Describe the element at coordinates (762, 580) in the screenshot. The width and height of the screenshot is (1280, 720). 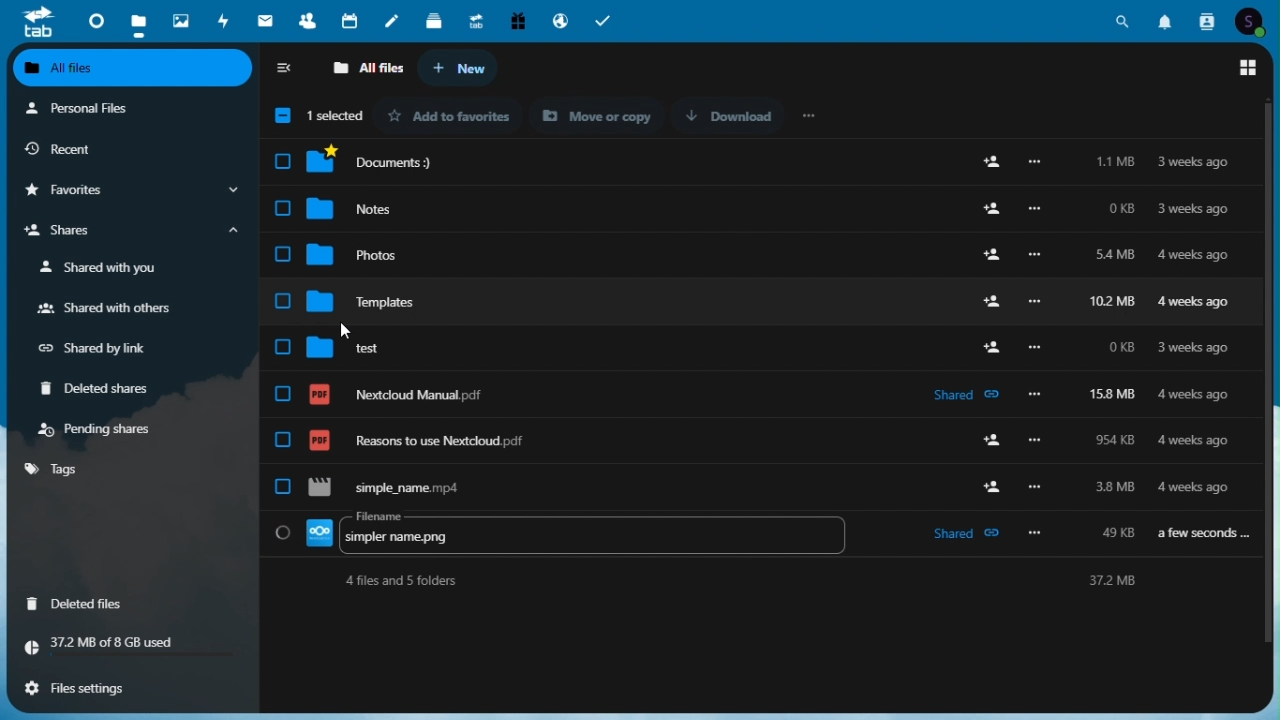
I see `4 files and 5 folders` at that location.